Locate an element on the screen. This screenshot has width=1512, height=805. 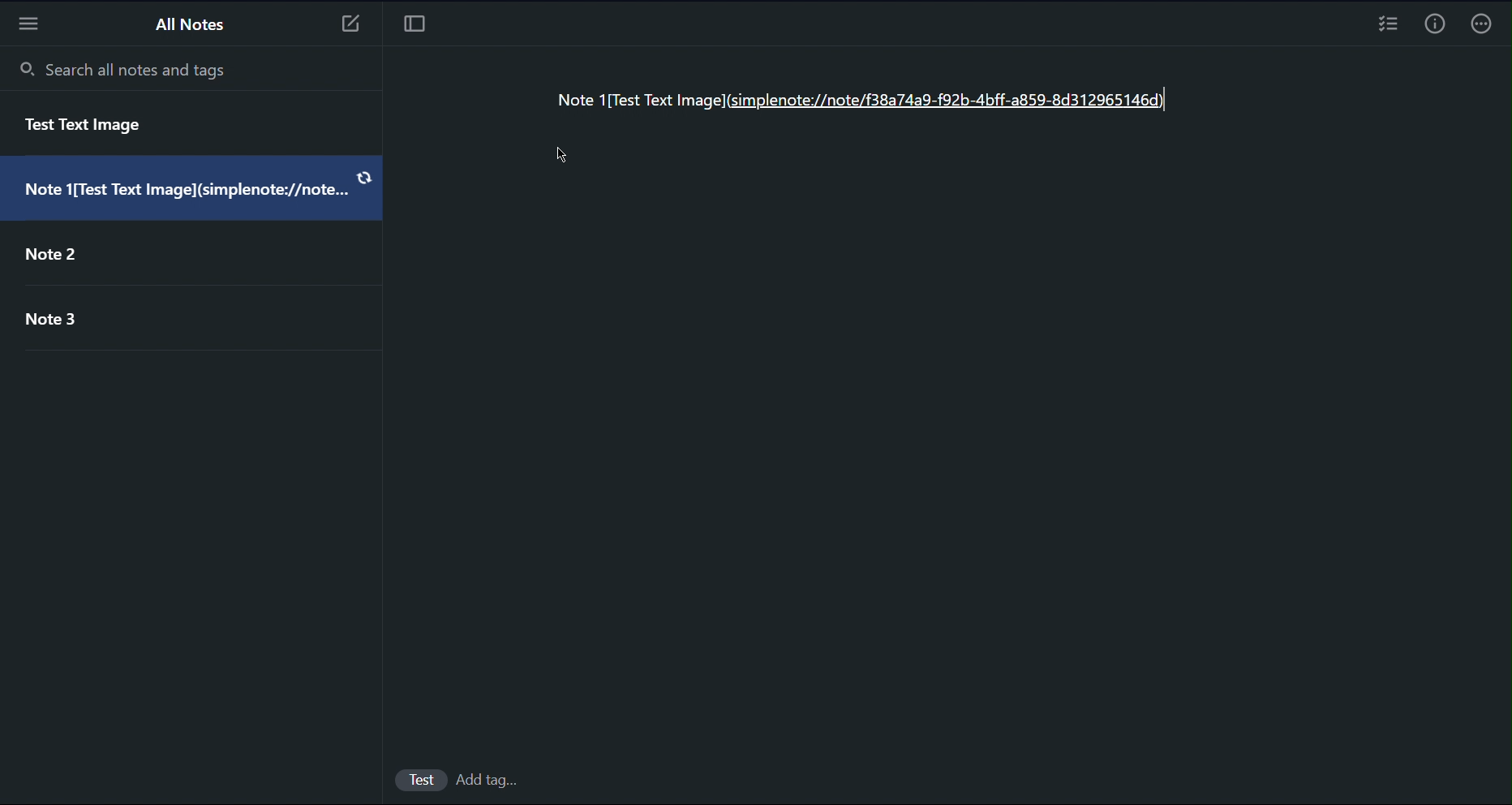
Test Text Image is located at coordinates (88, 127).